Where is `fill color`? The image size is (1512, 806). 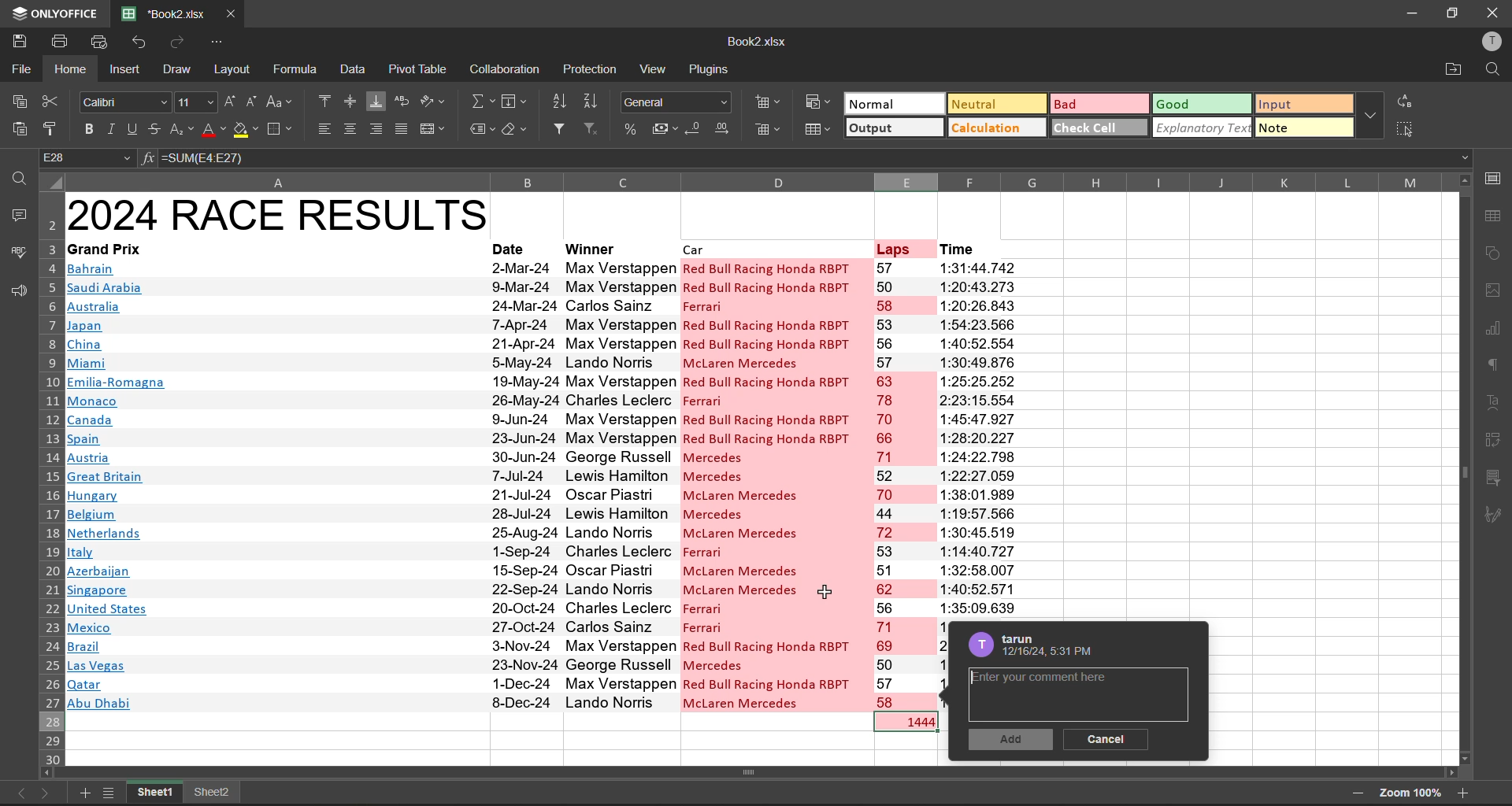 fill color is located at coordinates (244, 130).